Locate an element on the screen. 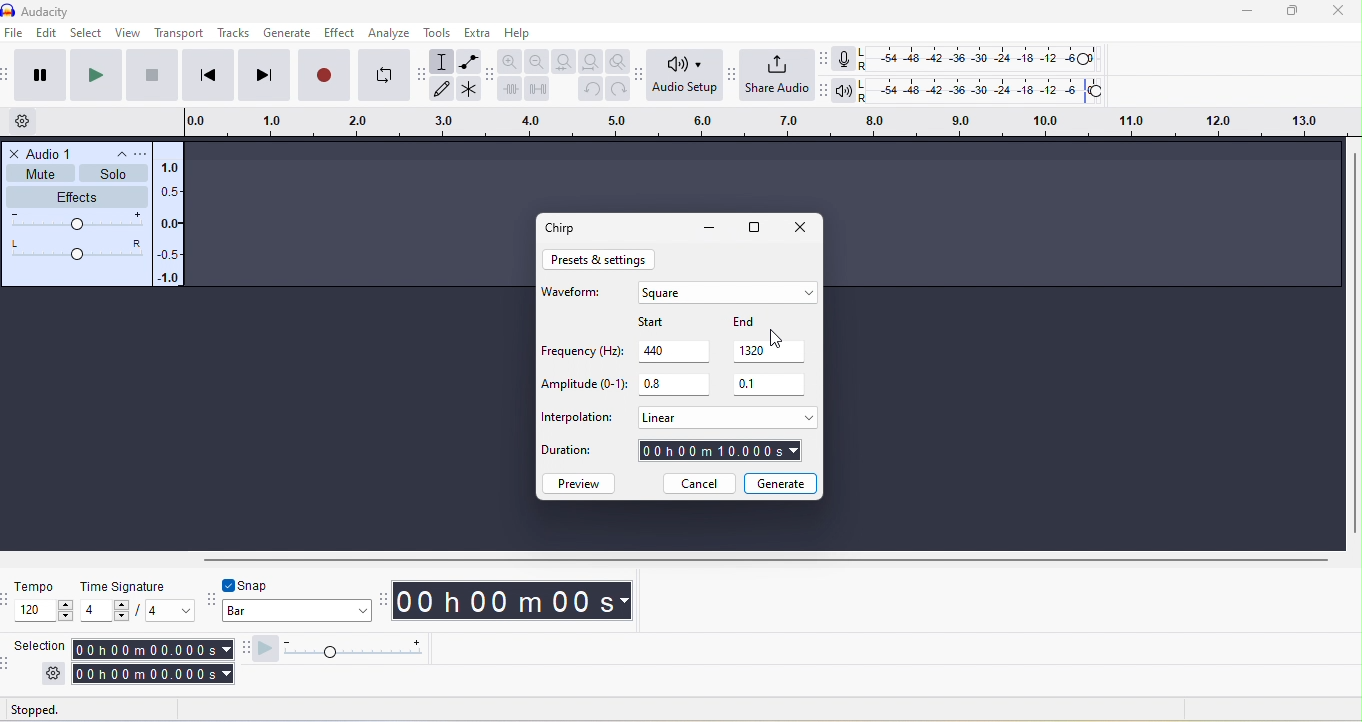  draw tool is located at coordinates (442, 89).